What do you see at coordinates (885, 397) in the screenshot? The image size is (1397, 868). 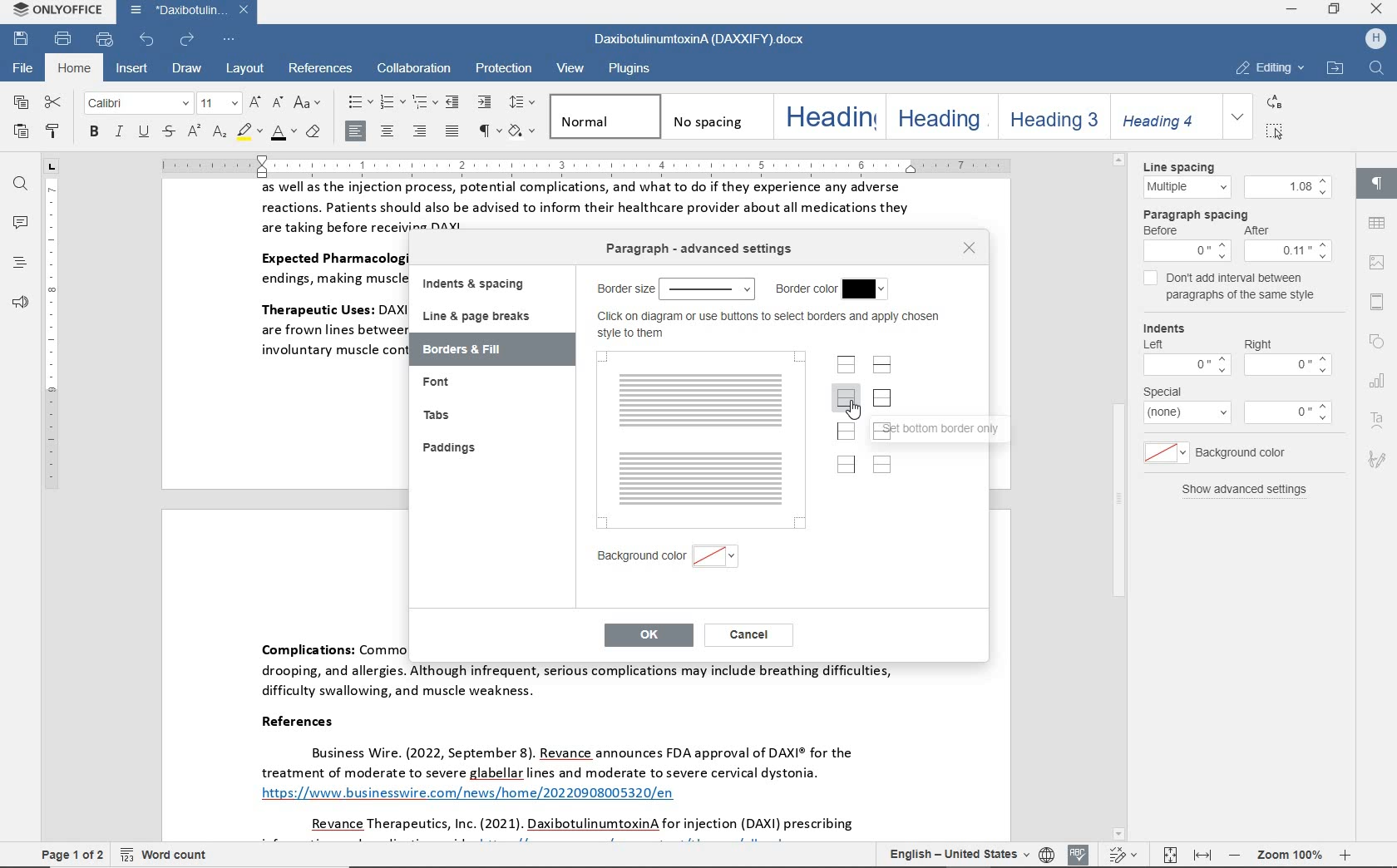 I see `set outer border only` at bounding box center [885, 397].